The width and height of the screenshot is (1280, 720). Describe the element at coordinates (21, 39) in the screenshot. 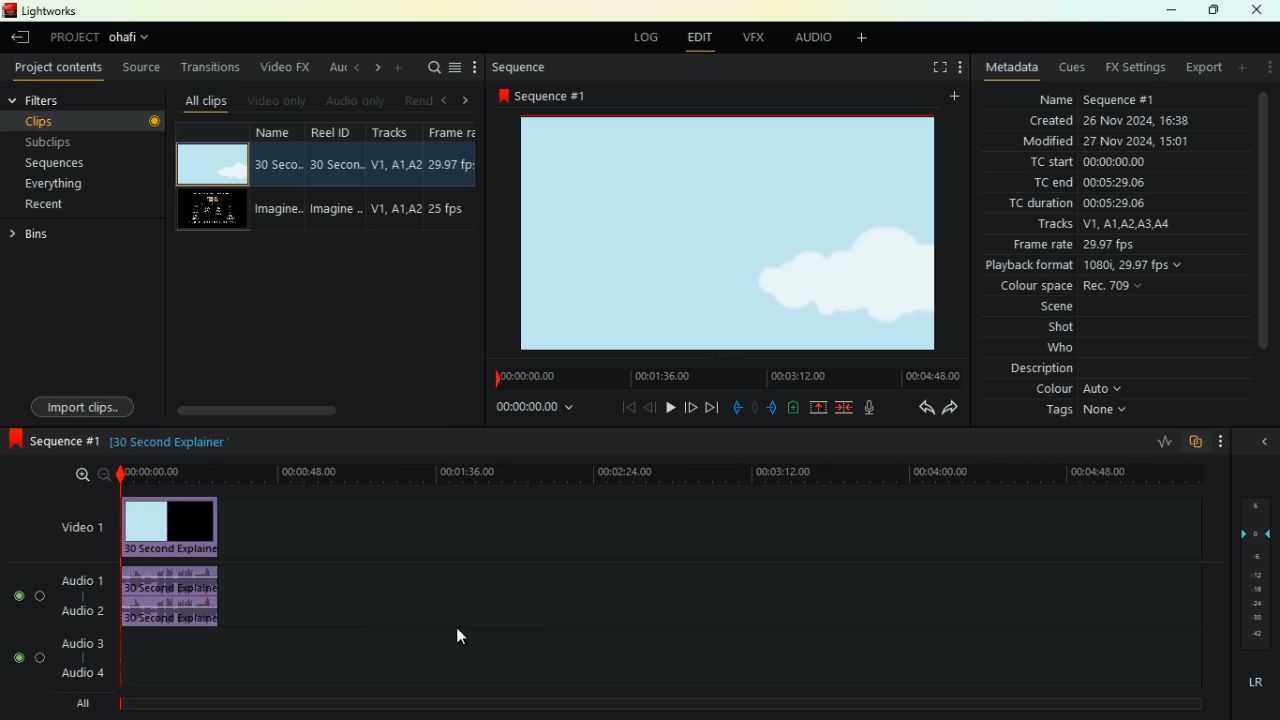

I see `leave` at that location.